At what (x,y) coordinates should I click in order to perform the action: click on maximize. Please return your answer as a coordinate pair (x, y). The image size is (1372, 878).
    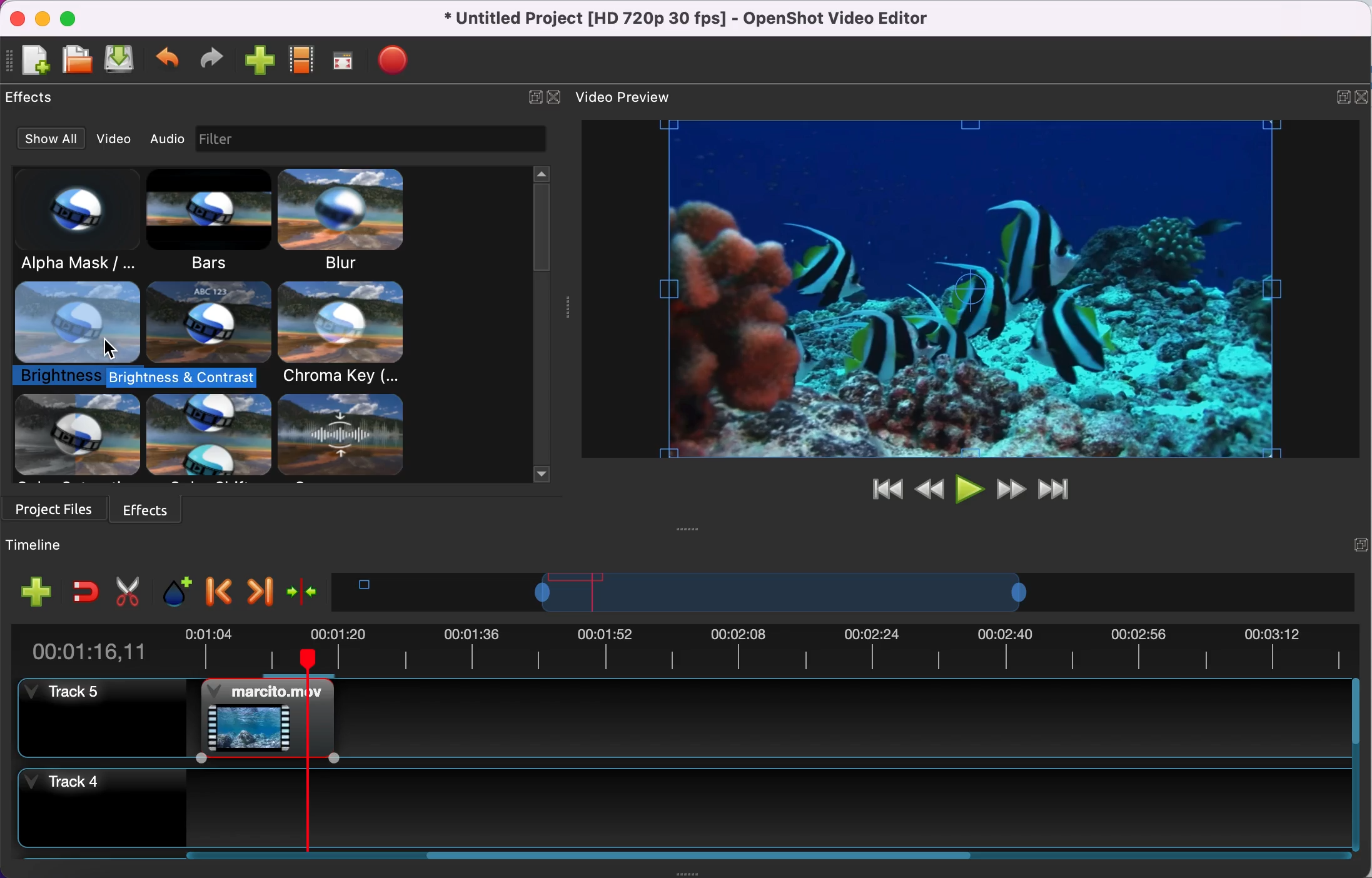
    Looking at the image, I should click on (71, 16).